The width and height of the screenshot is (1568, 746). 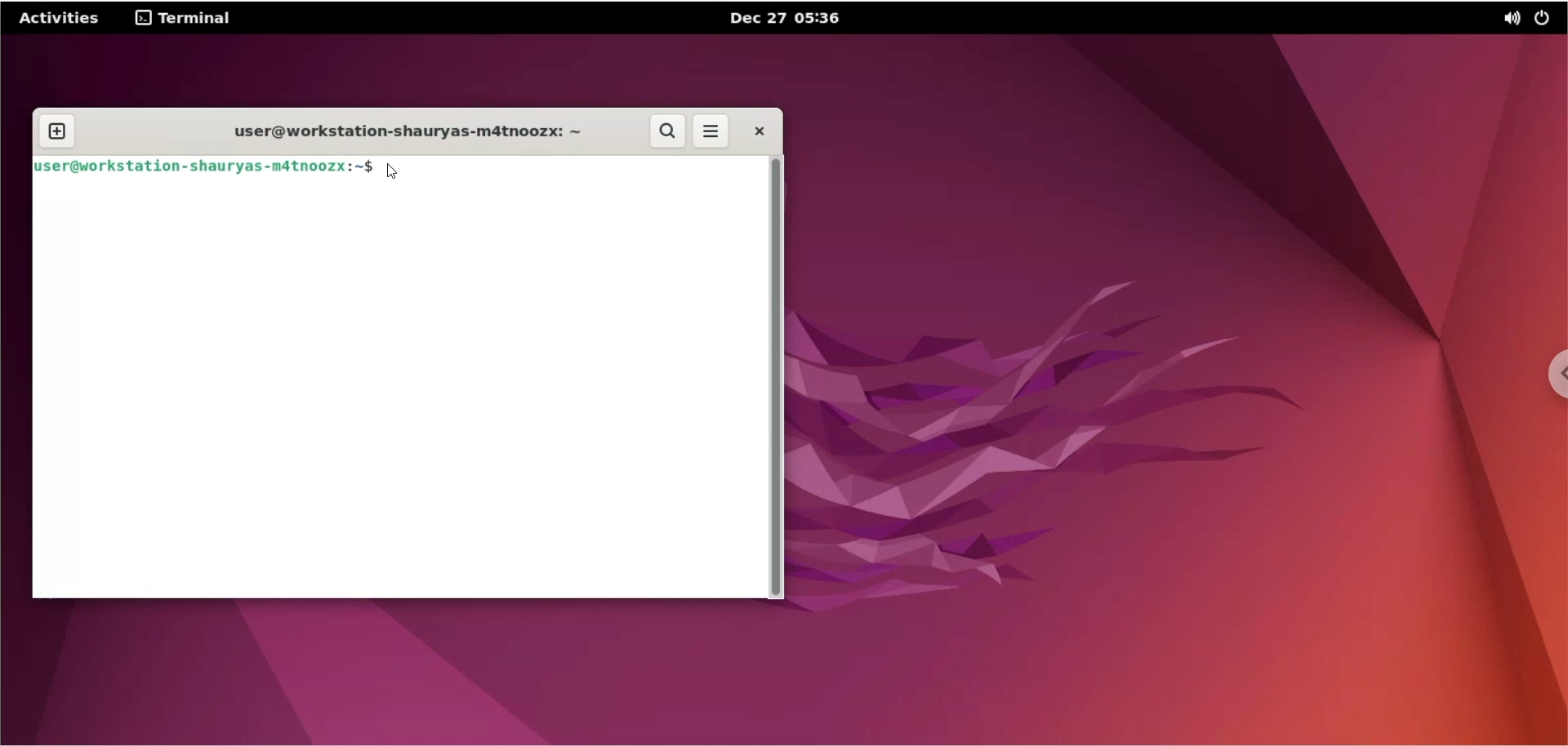 What do you see at coordinates (786, 17) in the screenshot?
I see `Dec 27 05:36` at bounding box center [786, 17].